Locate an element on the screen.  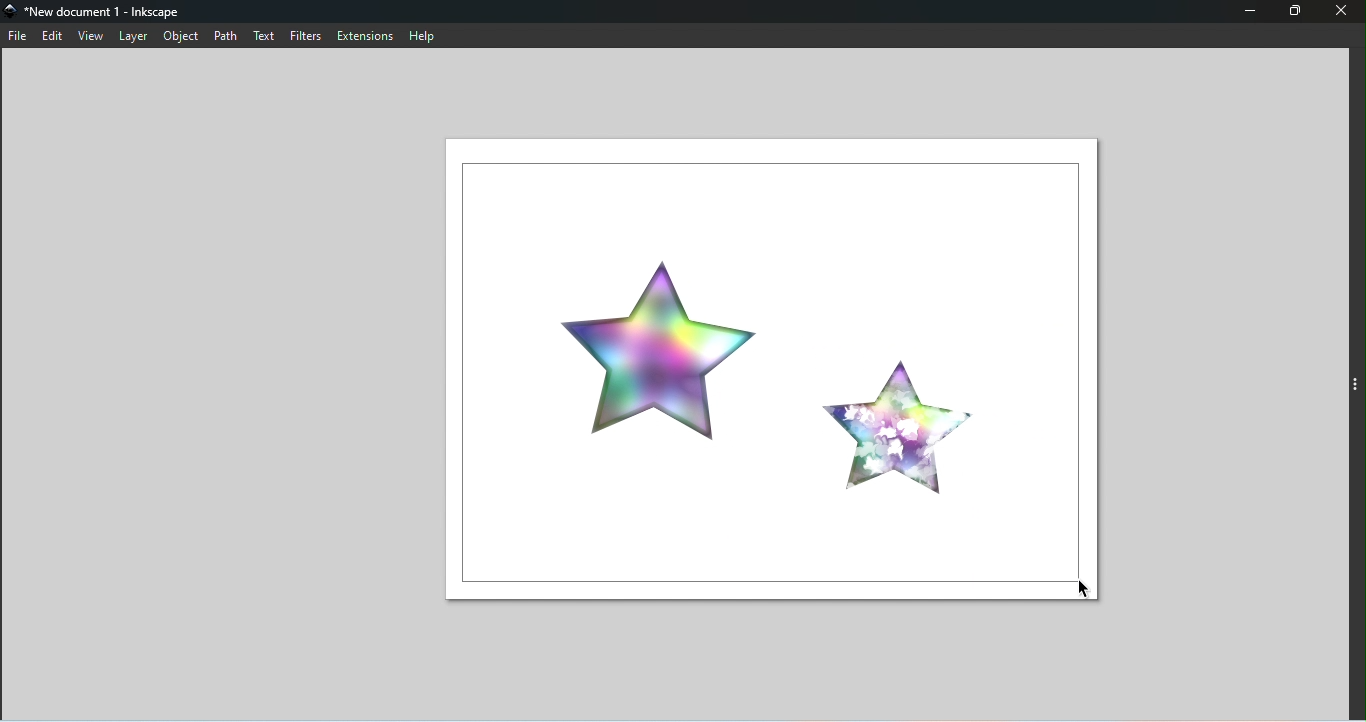
Text is located at coordinates (268, 37).